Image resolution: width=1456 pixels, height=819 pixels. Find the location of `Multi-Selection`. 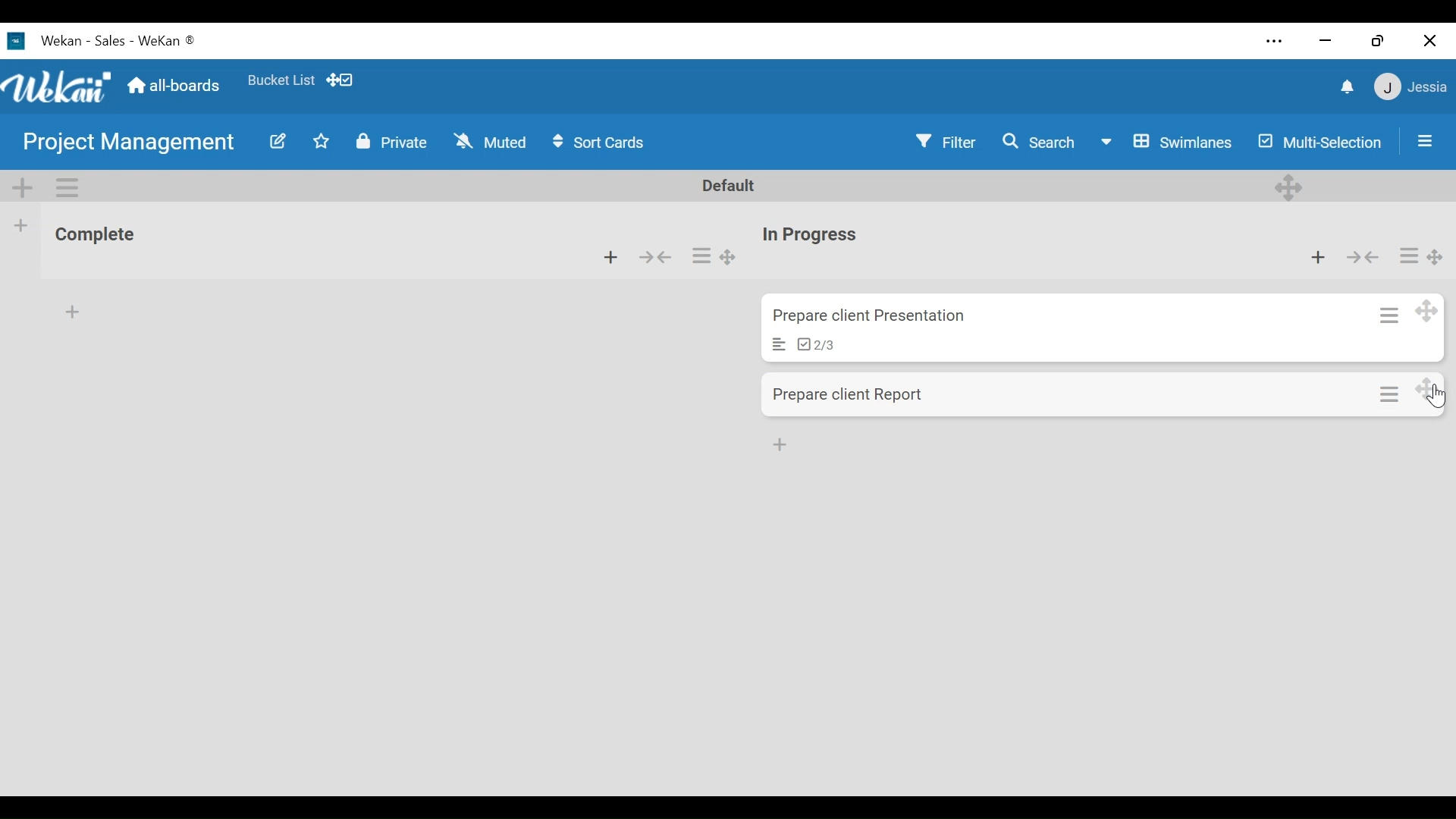

Multi-Selection is located at coordinates (1319, 144).